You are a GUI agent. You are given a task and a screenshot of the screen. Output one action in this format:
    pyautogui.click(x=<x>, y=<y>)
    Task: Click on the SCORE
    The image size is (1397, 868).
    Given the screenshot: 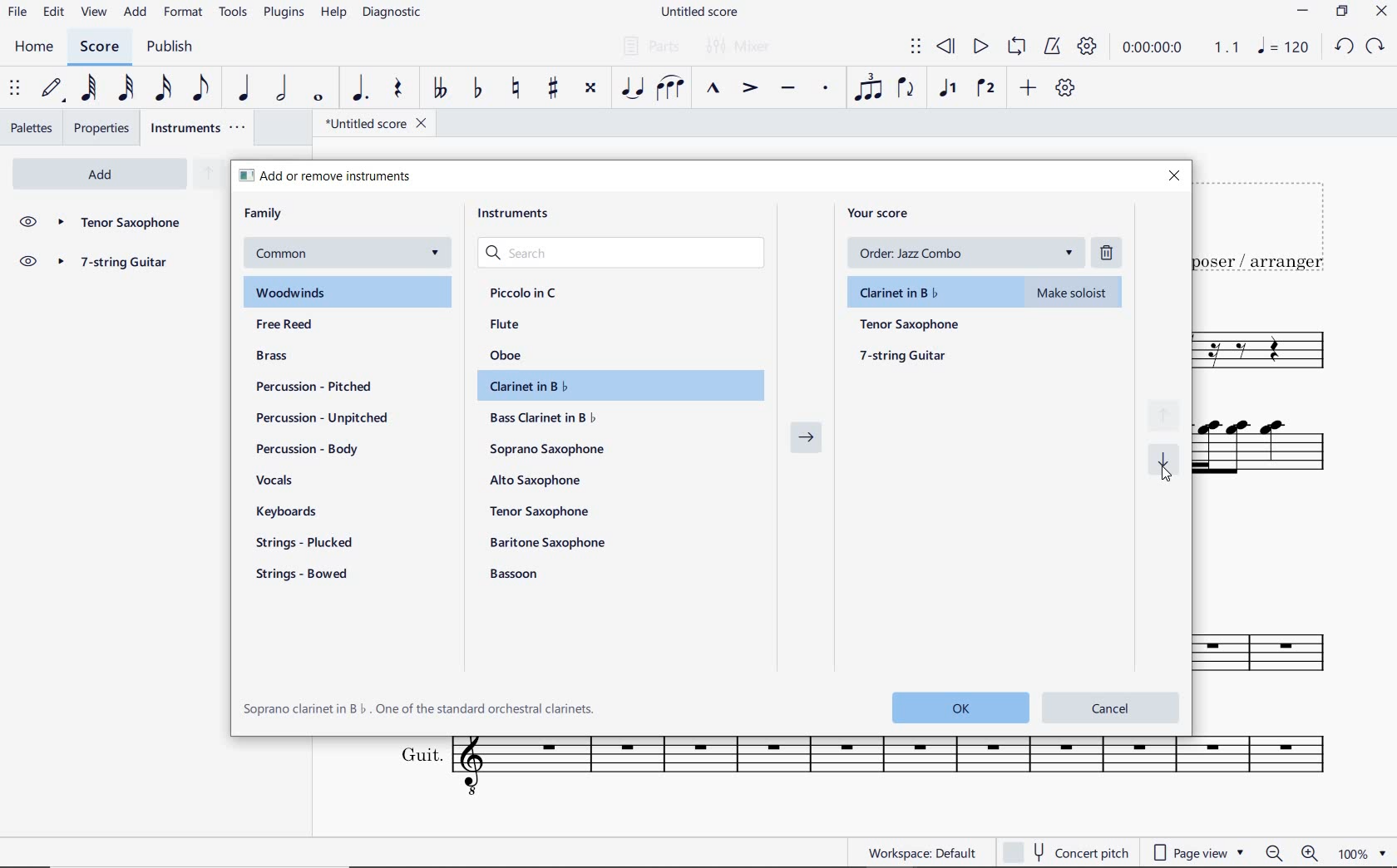 What is the action you would take?
    pyautogui.click(x=97, y=47)
    